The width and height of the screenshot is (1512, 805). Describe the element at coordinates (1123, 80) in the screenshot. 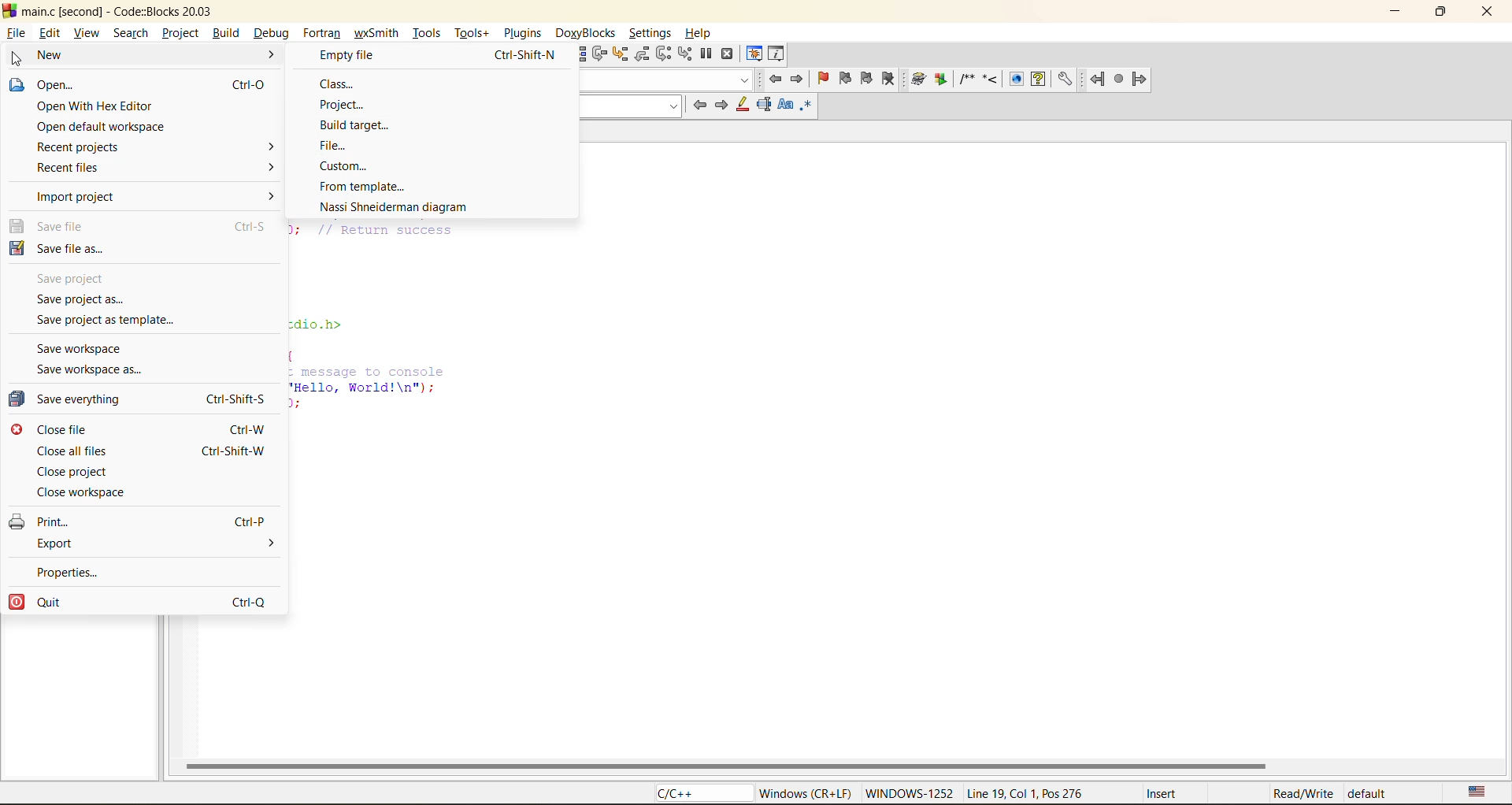

I see `fortran reference` at that location.